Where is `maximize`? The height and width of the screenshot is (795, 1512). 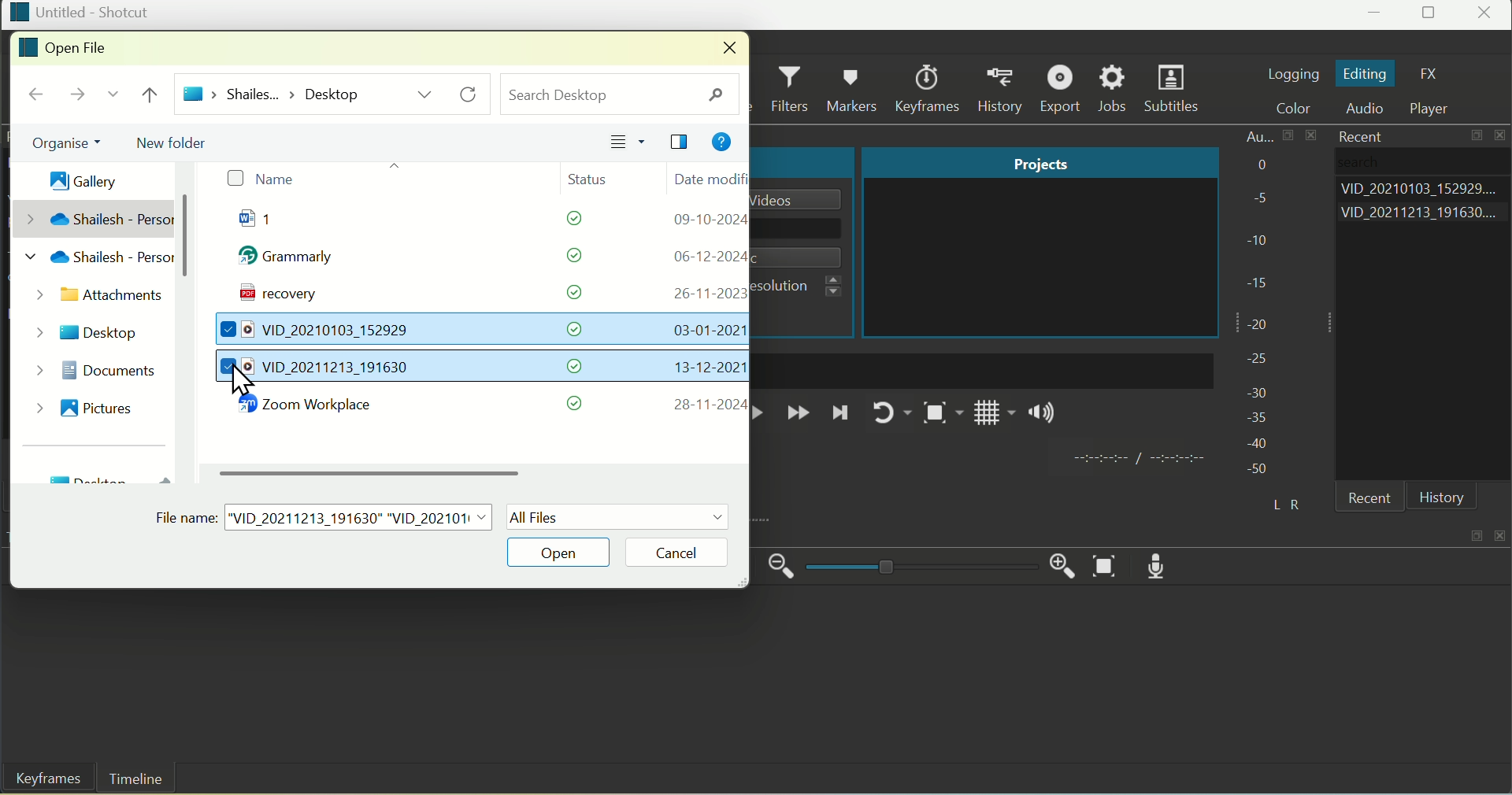 maximize is located at coordinates (1478, 138).